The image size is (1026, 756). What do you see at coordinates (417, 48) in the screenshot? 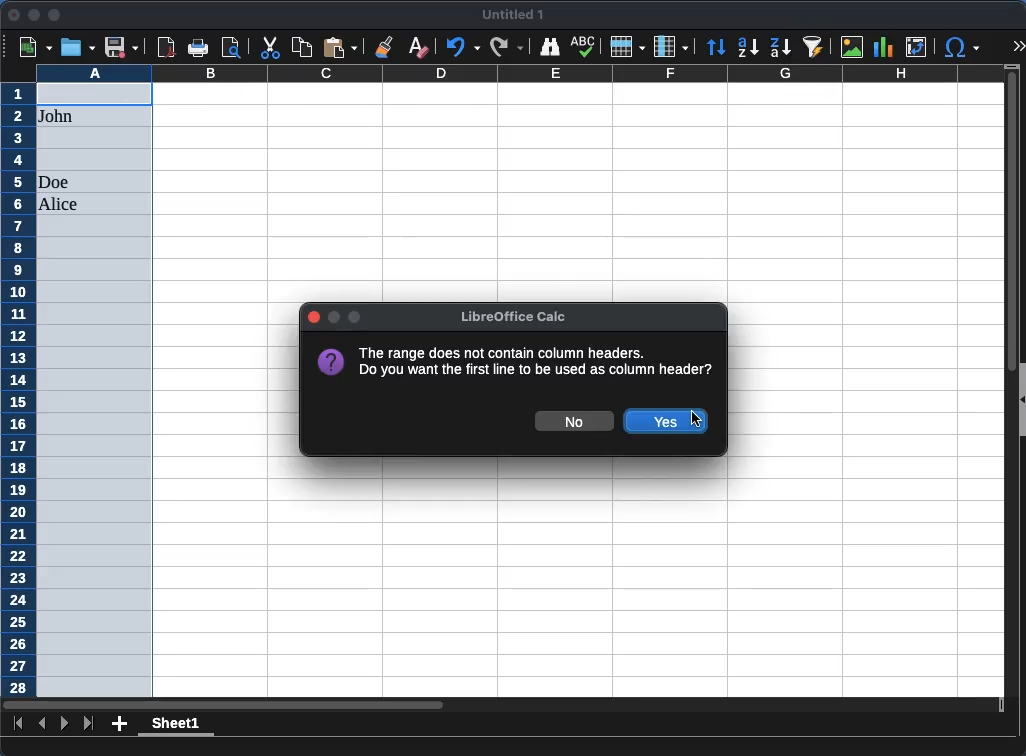
I see `clear formatting` at bounding box center [417, 48].